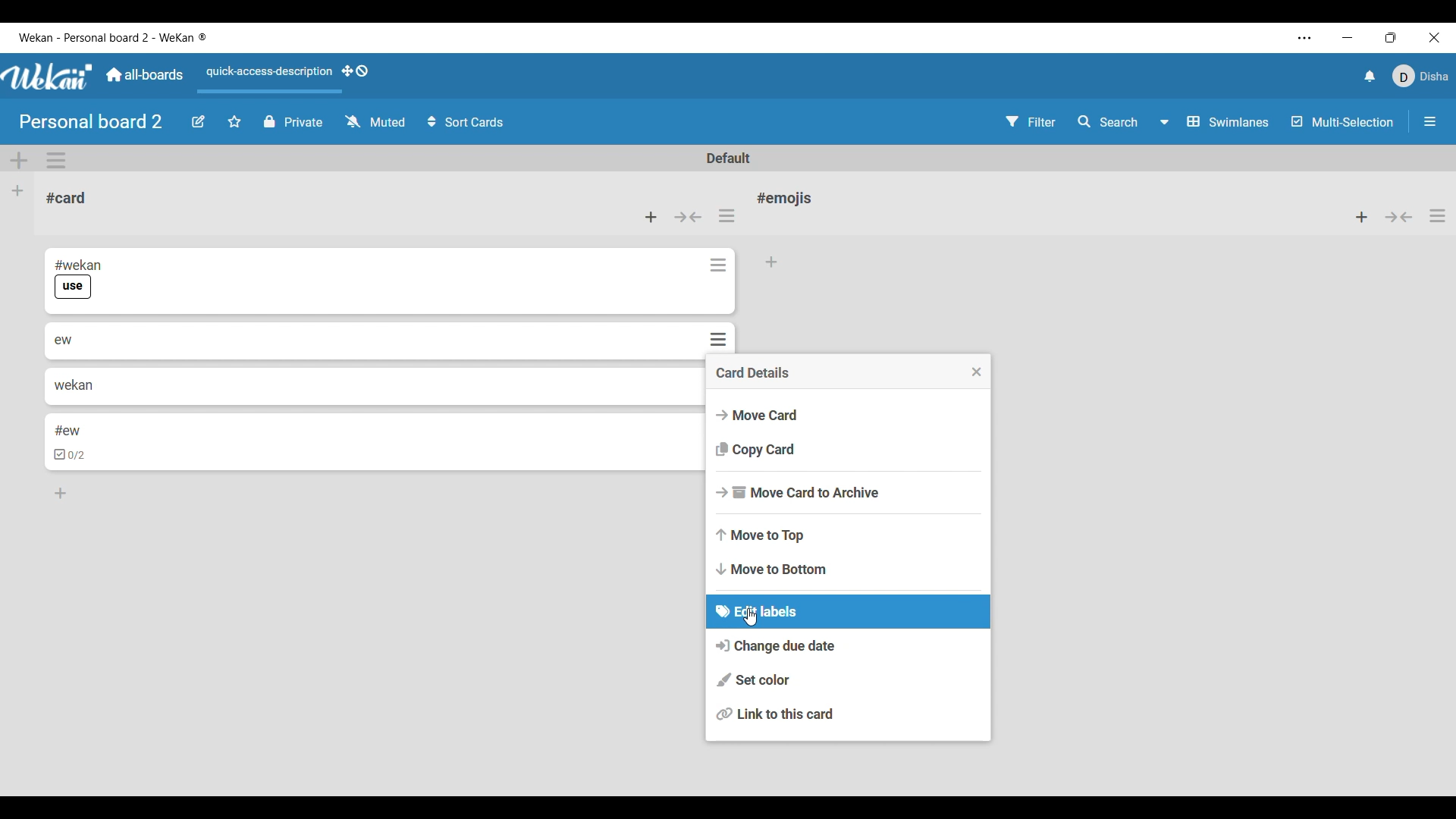  Describe the element at coordinates (773, 262) in the screenshot. I see `Add card to bottom of list` at that location.